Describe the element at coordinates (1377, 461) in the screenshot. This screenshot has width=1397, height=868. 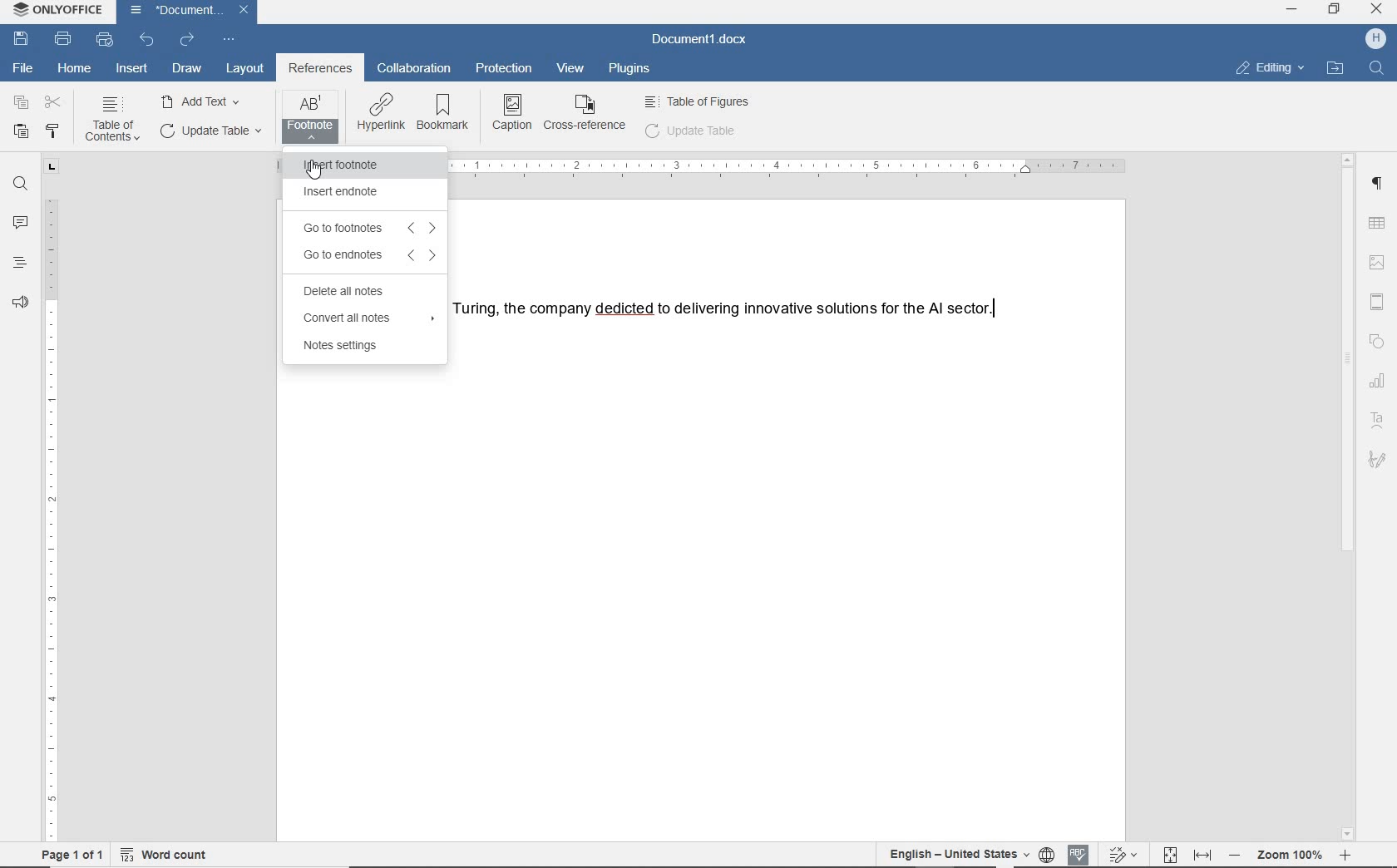
I see `SIGNATURE` at that location.